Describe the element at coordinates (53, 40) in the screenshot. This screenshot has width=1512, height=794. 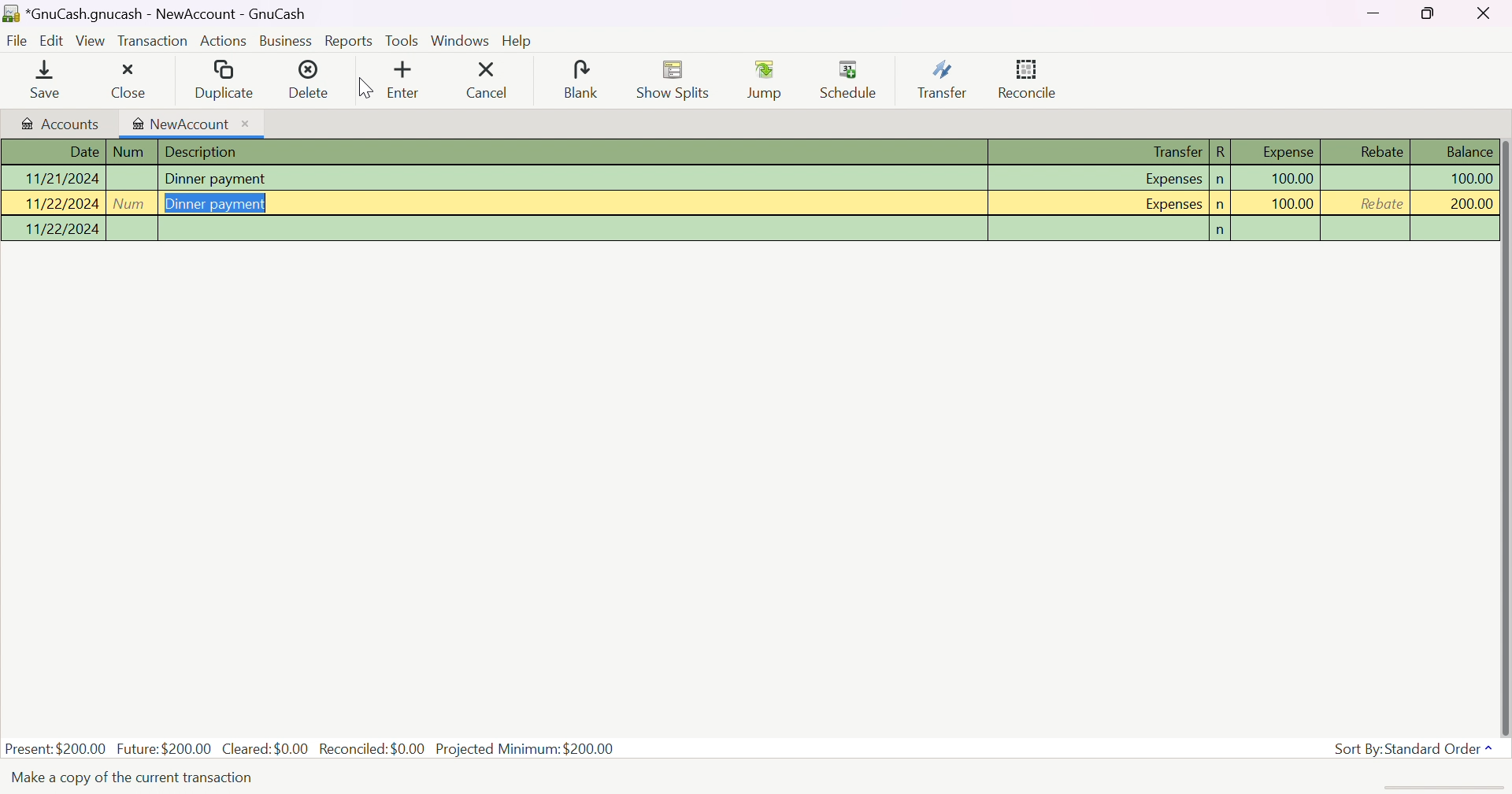
I see `Edit` at that location.